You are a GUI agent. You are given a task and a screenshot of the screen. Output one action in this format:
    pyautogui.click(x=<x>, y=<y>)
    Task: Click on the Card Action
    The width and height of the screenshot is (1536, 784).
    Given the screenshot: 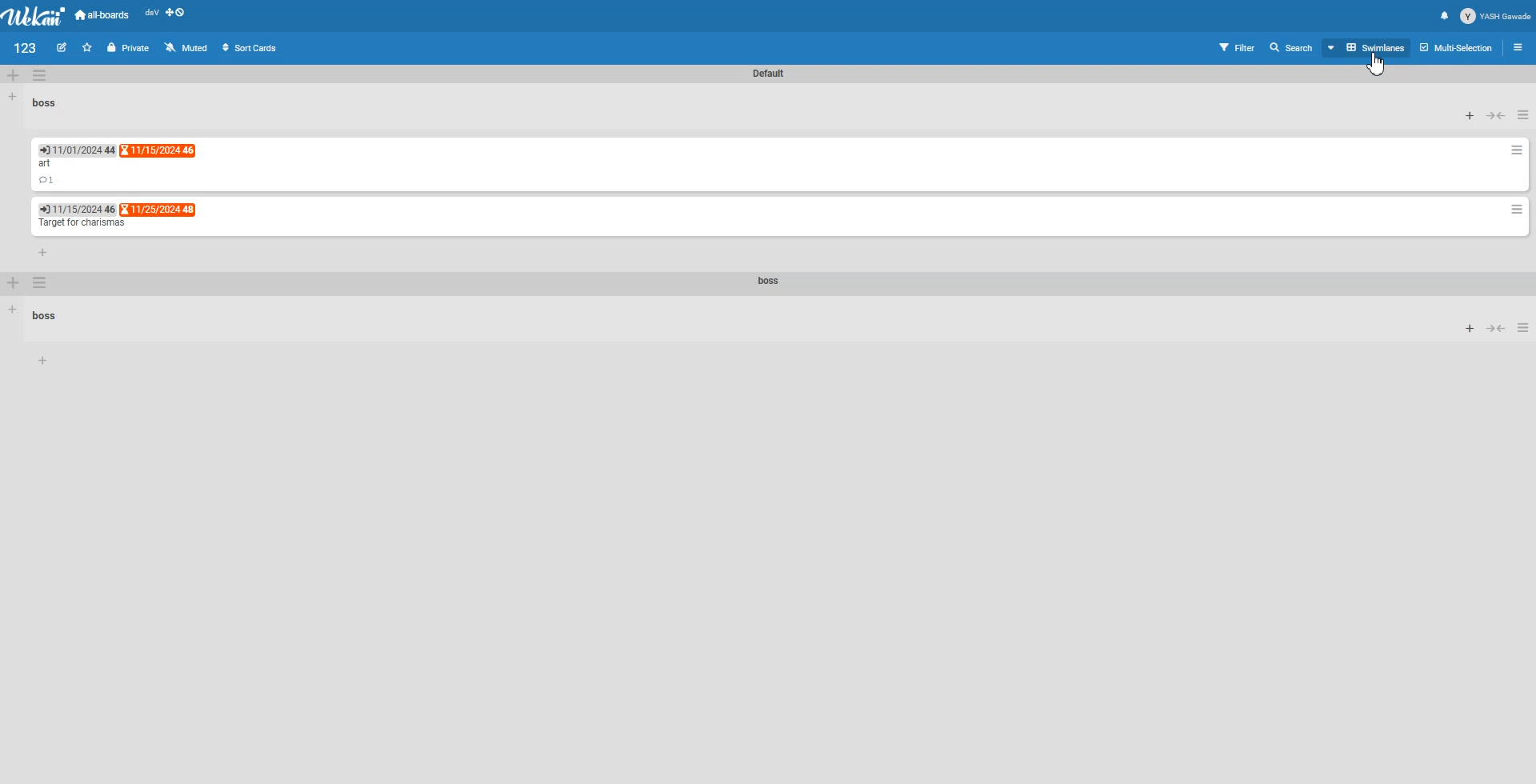 What is the action you would take?
    pyautogui.click(x=1517, y=210)
    